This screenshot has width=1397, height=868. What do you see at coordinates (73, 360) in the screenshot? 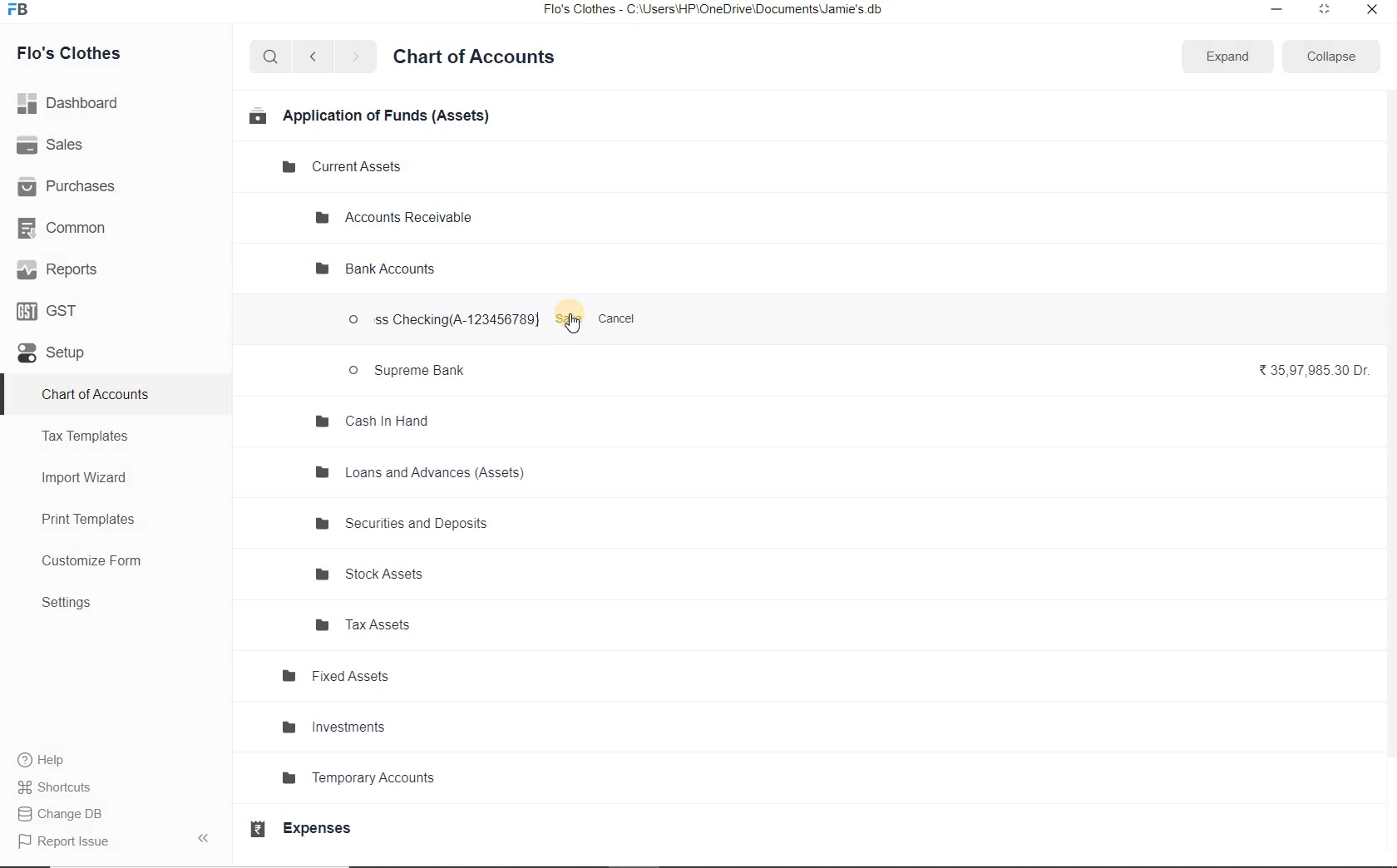
I see `Setup` at bounding box center [73, 360].